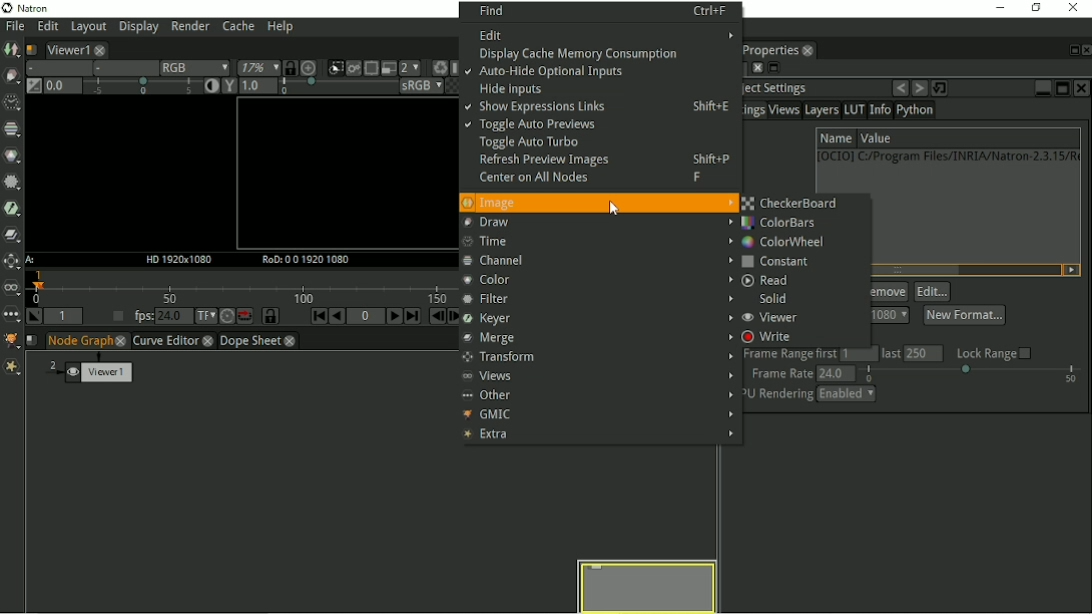  Describe the element at coordinates (10, 101) in the screenshot. I see `Time` at that location.